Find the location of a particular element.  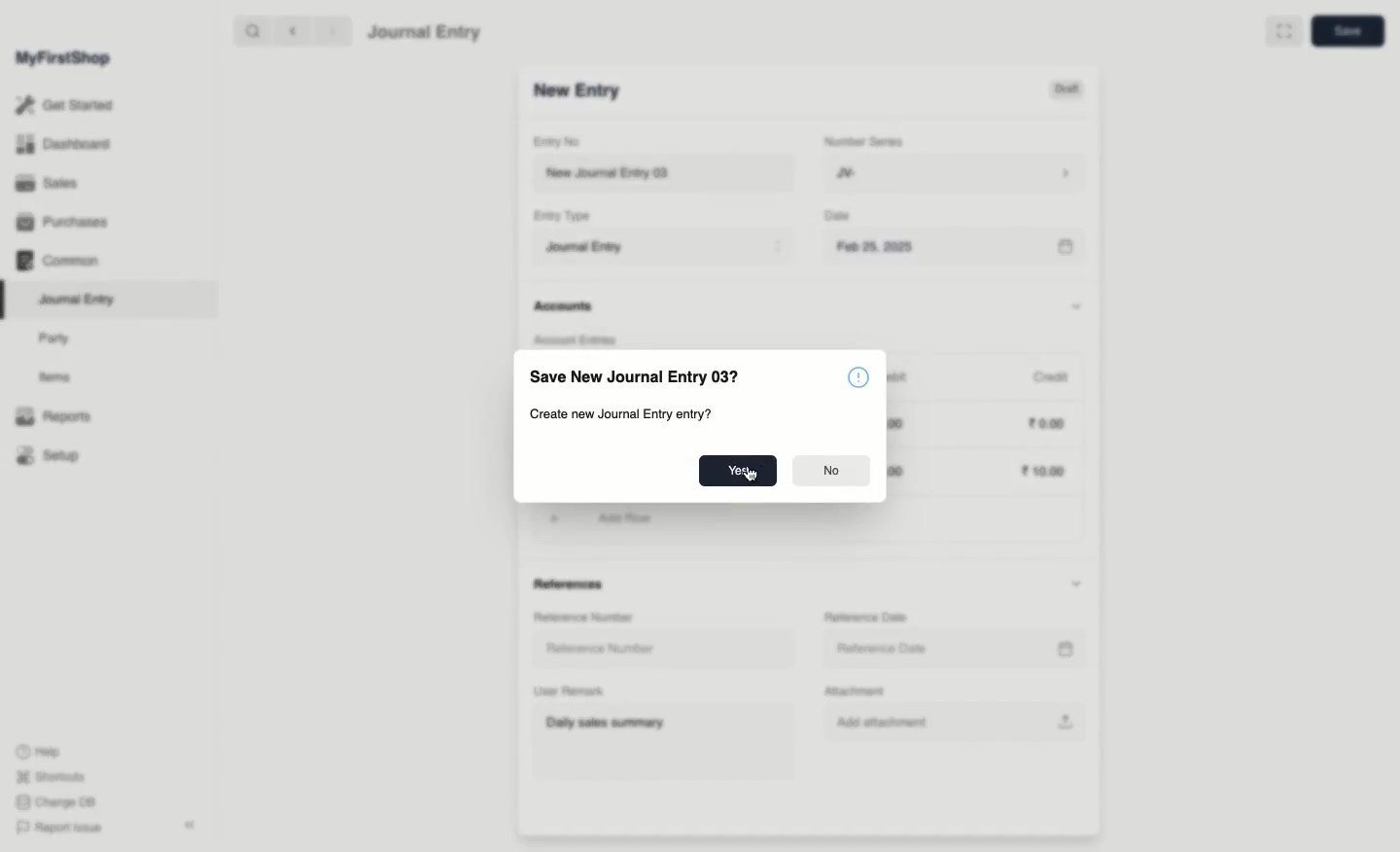

Reports is located at coordinates (52, 417).